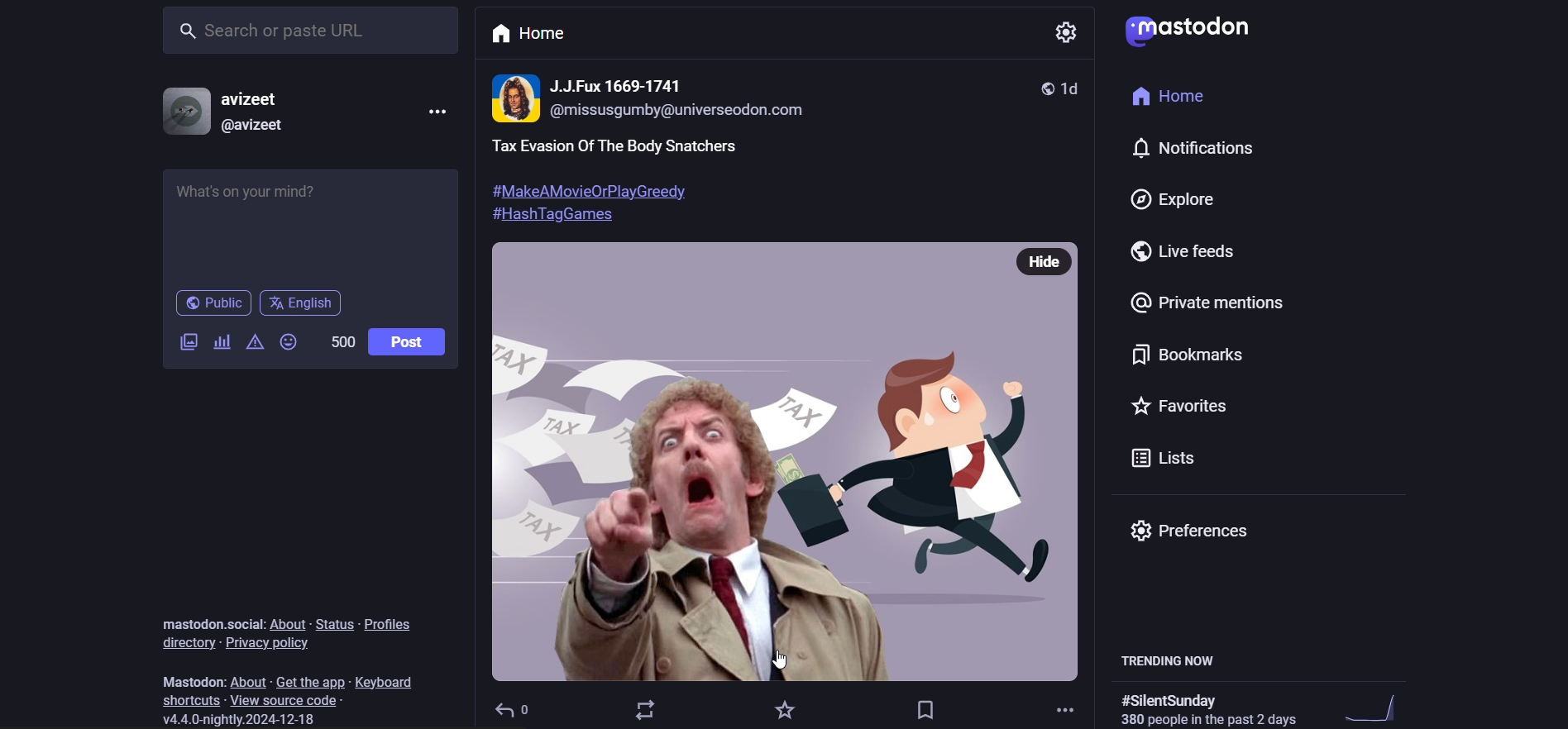 This screenshot has height=729, width=1568. What do you see at coordinates (185, 678) in the screenshot?
I see `mastodon` at bounding box center [185, 678].